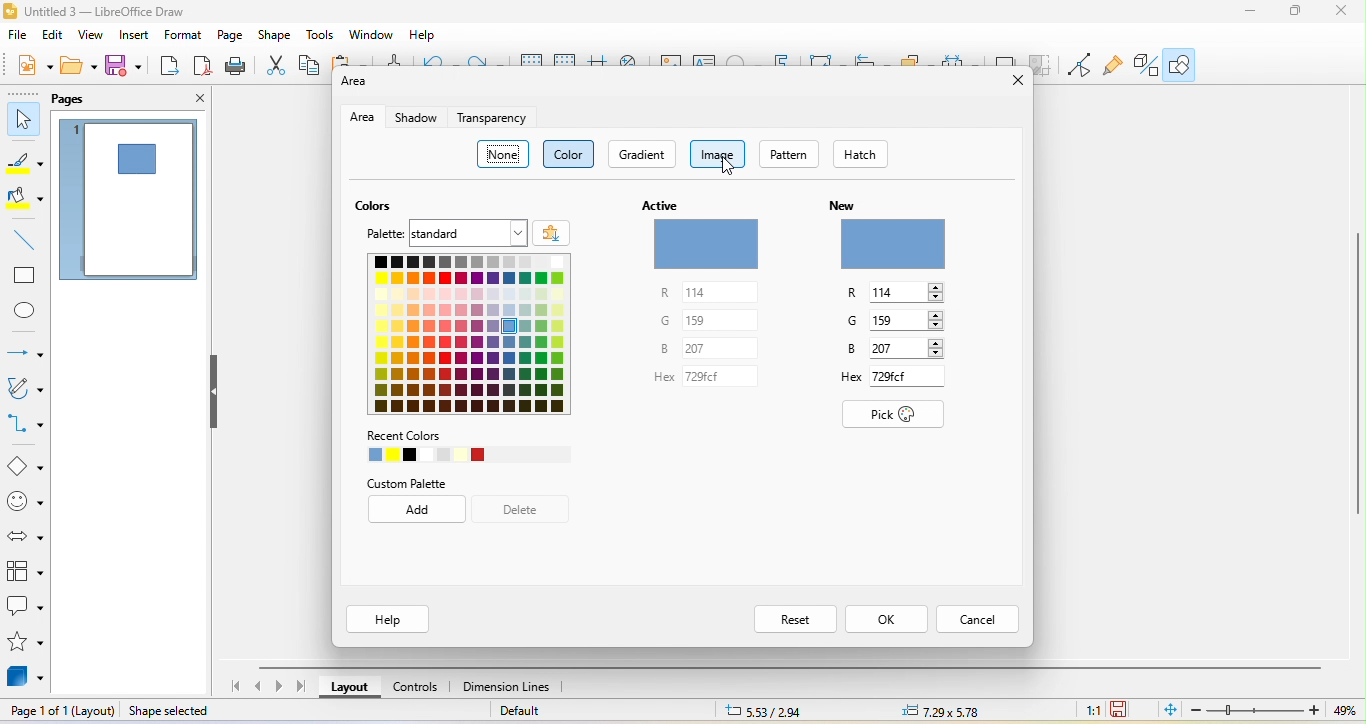 This screenshot has width=1366, height=724. What do you see at coordinates (1245, 14) in the screenshot?
I see `minimze` at bounding box center [1245, 14].